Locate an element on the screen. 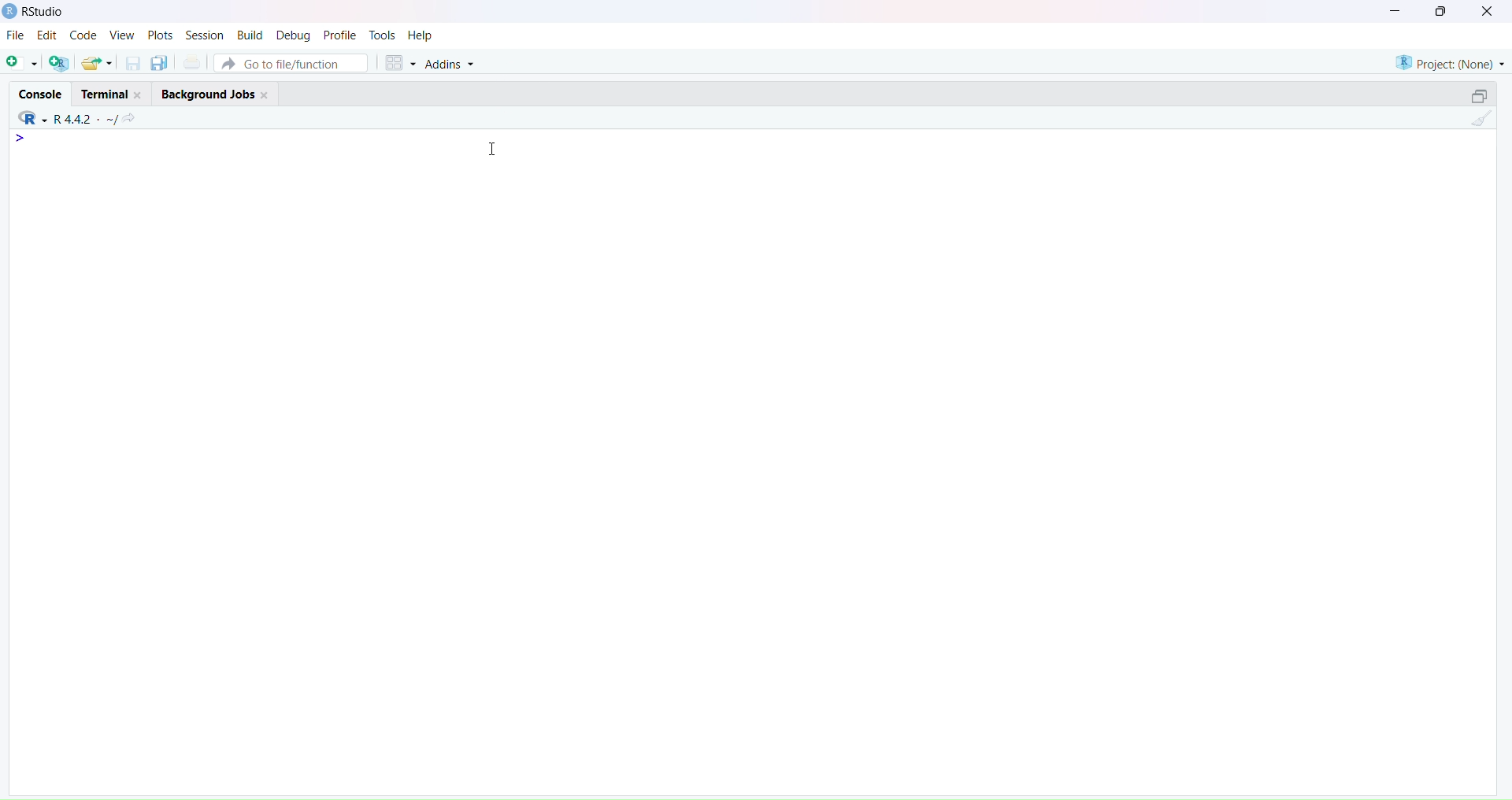 The width and height of the screenshot is (1512, 800). R 4.4.2 is located at coordinates (65, 119).